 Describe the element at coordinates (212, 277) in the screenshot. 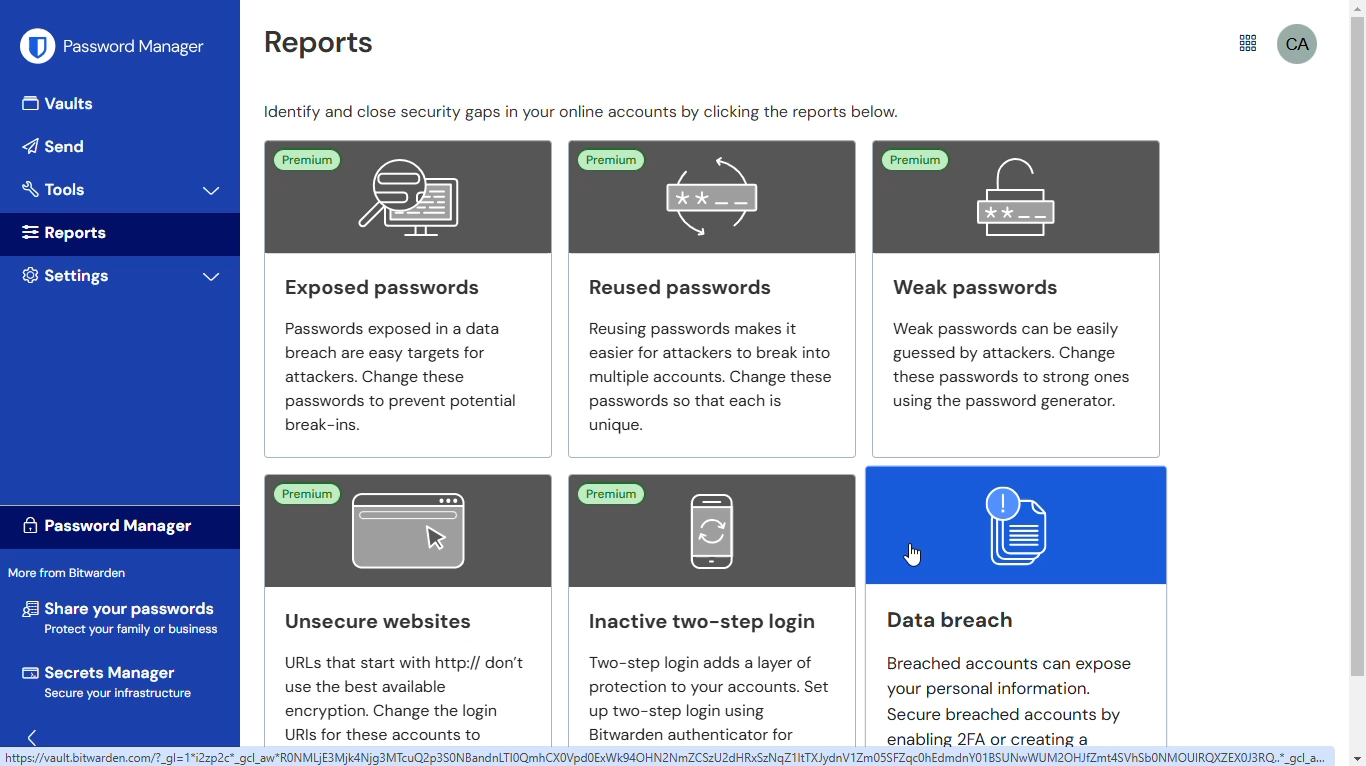

I see `toggle expand` at that location.